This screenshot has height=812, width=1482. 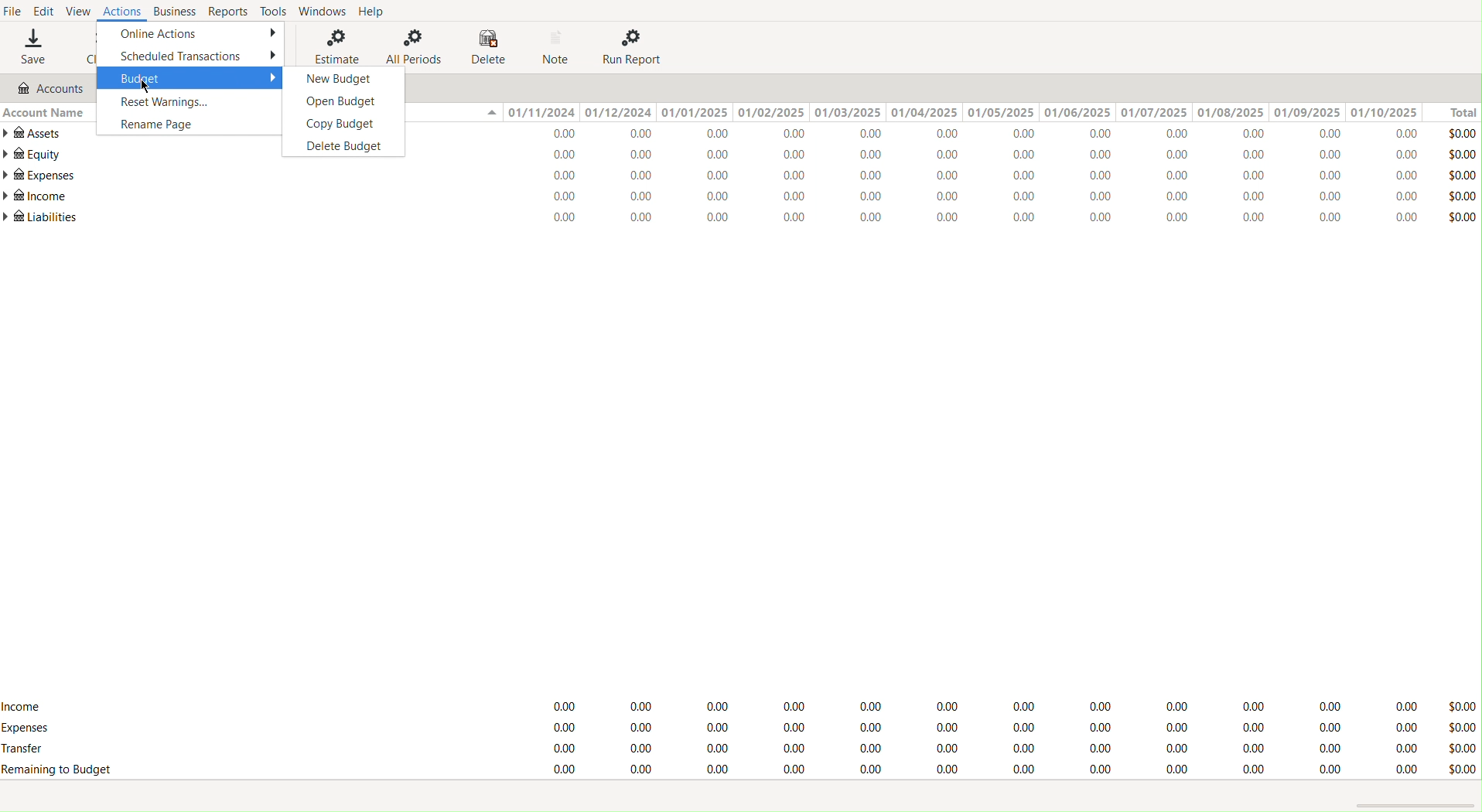 What do you see at coordinates (176, 11) in the screenshot?
I see `Business` at bounding box center [176, 11].